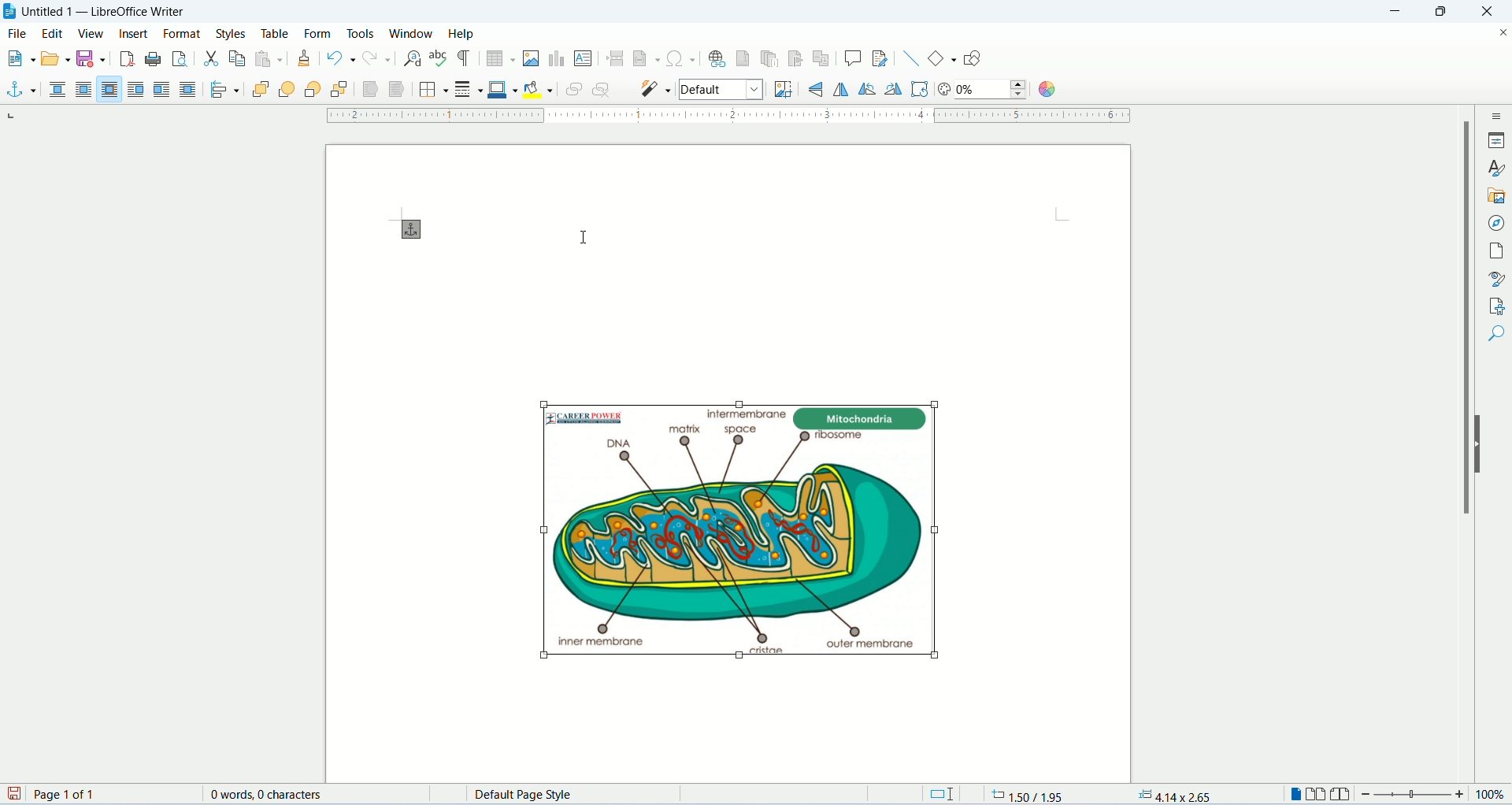  I want to click on maximize, so click(1444, 12).